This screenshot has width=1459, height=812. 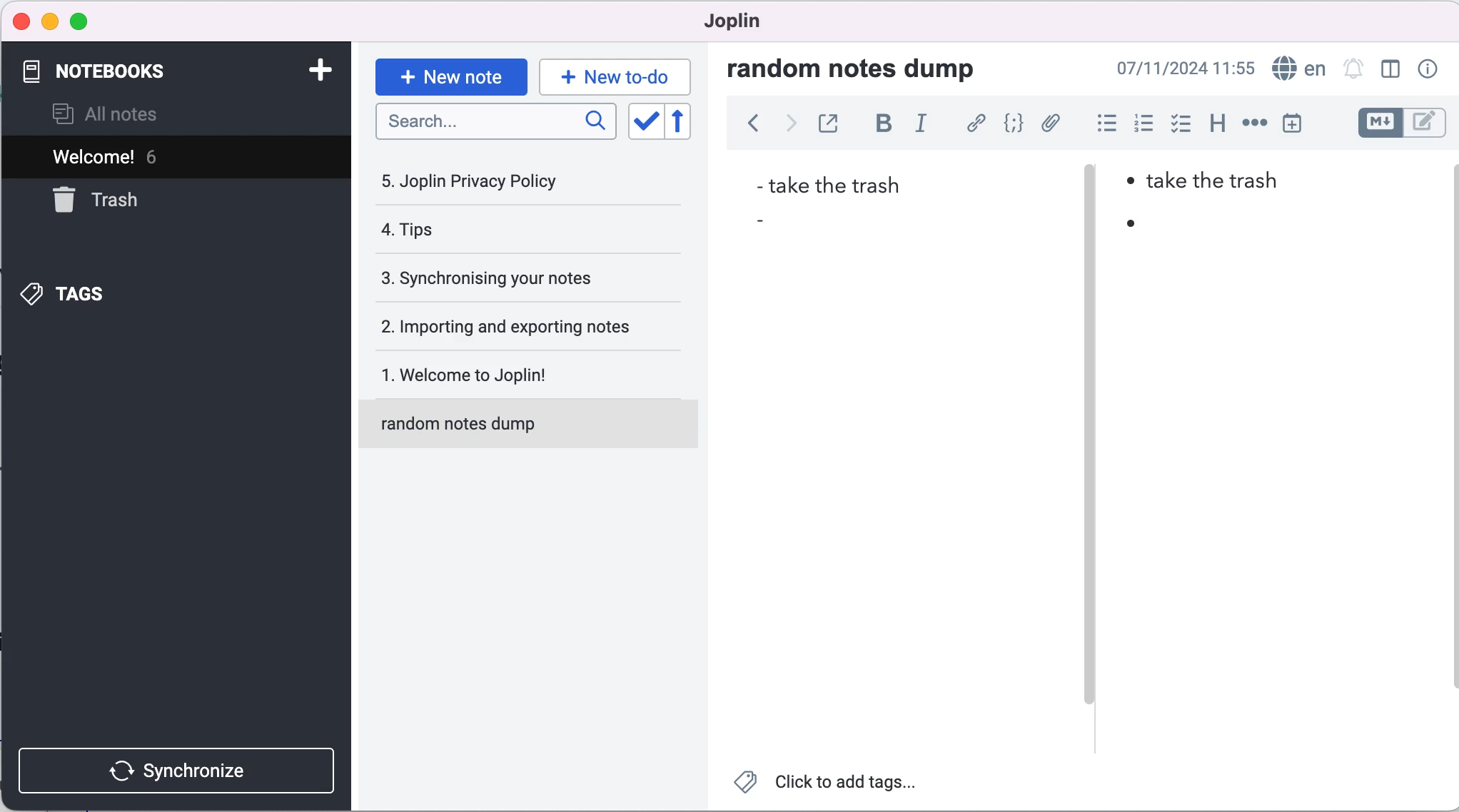 What do you see at coordinates (1177, 123) in the screenshot?
I see `check box` at bounding box center [1177, 123].